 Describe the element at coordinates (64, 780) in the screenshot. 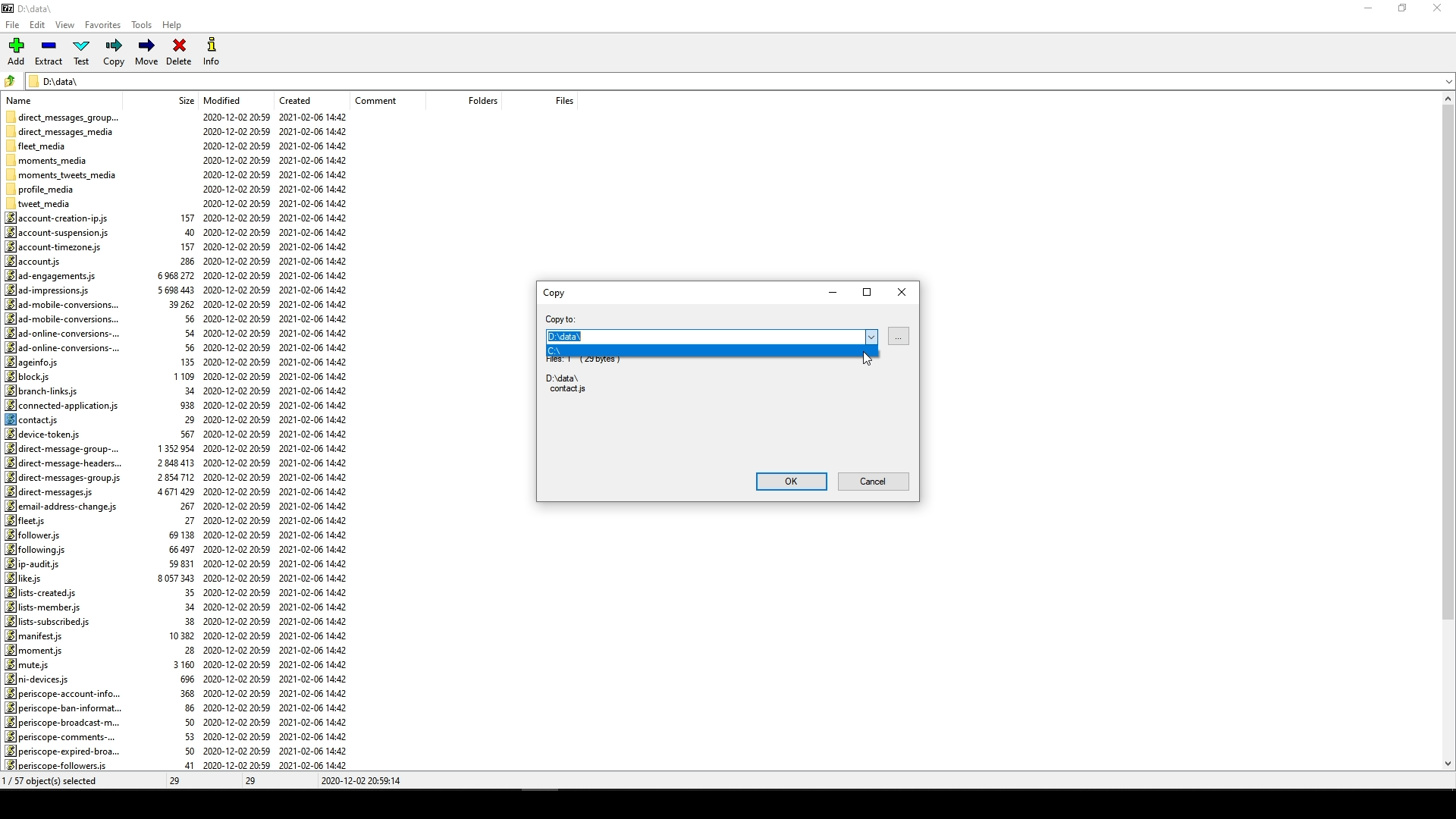

I see `0/57 objects selected` at that location.